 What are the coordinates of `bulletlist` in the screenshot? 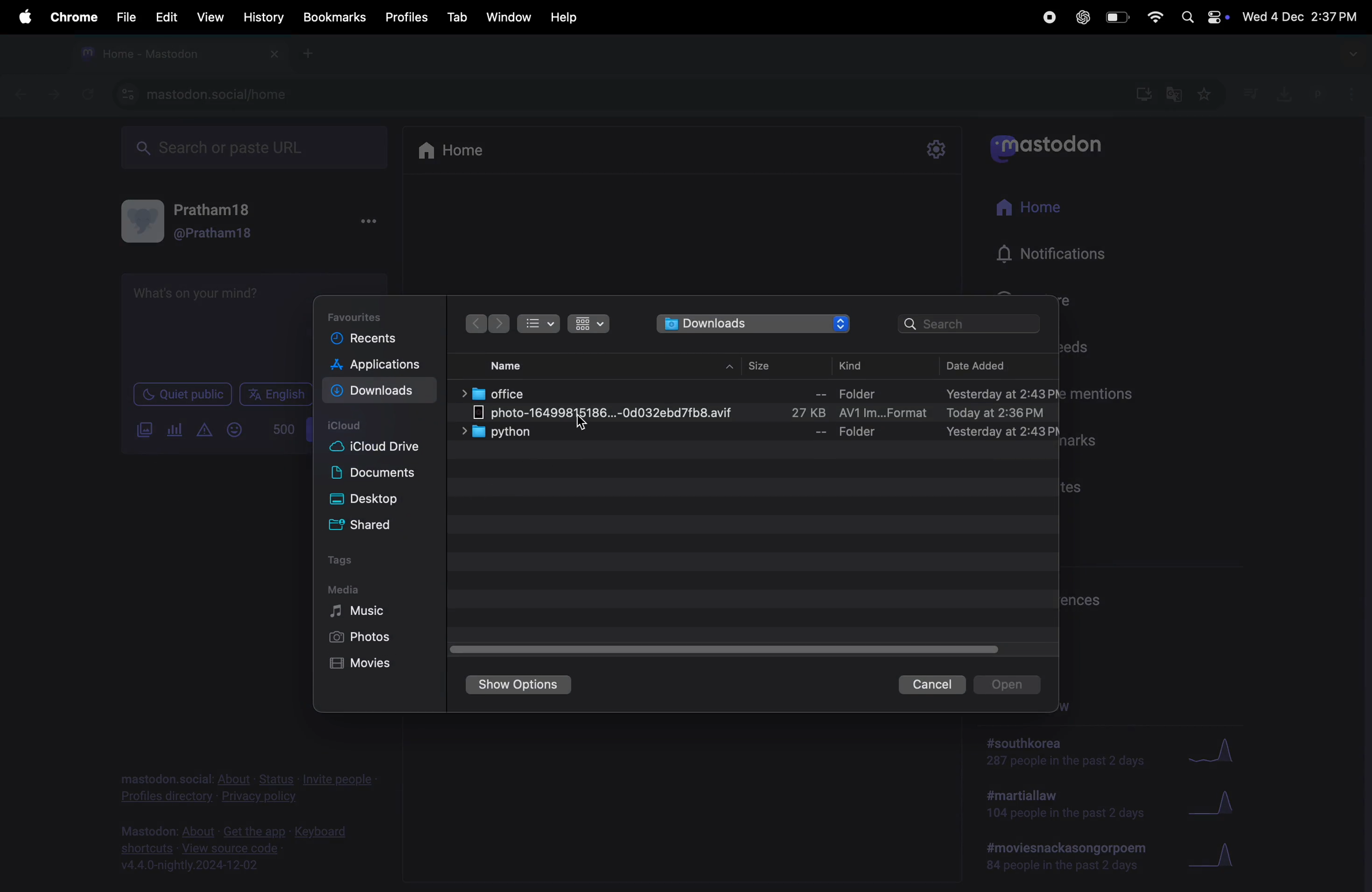 It's located at (537, 322).